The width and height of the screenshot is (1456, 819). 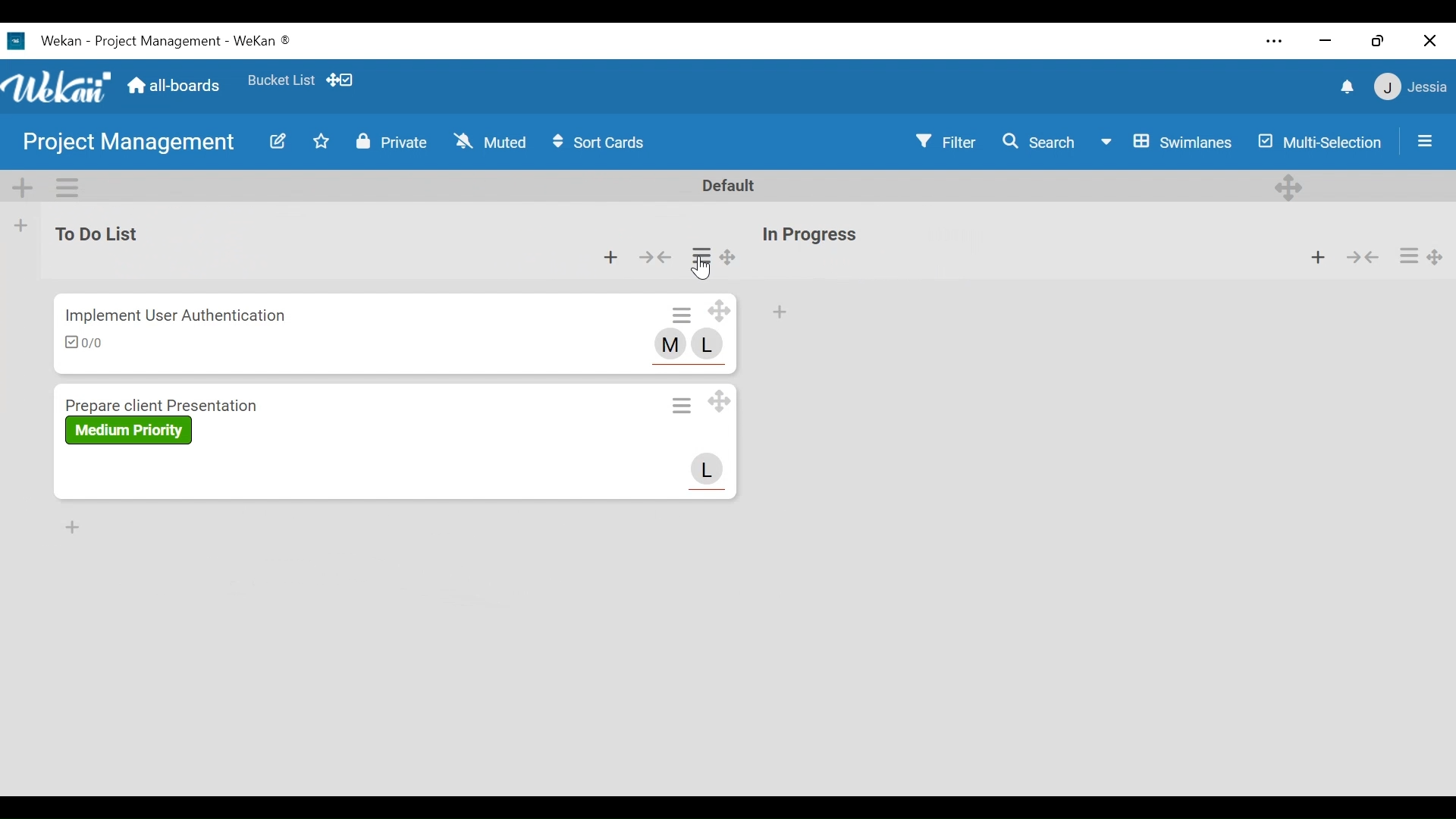 What do you see at coordinates (700, 255) in the screenshot?
I see `List Actions` at bounding box center [700, 255].